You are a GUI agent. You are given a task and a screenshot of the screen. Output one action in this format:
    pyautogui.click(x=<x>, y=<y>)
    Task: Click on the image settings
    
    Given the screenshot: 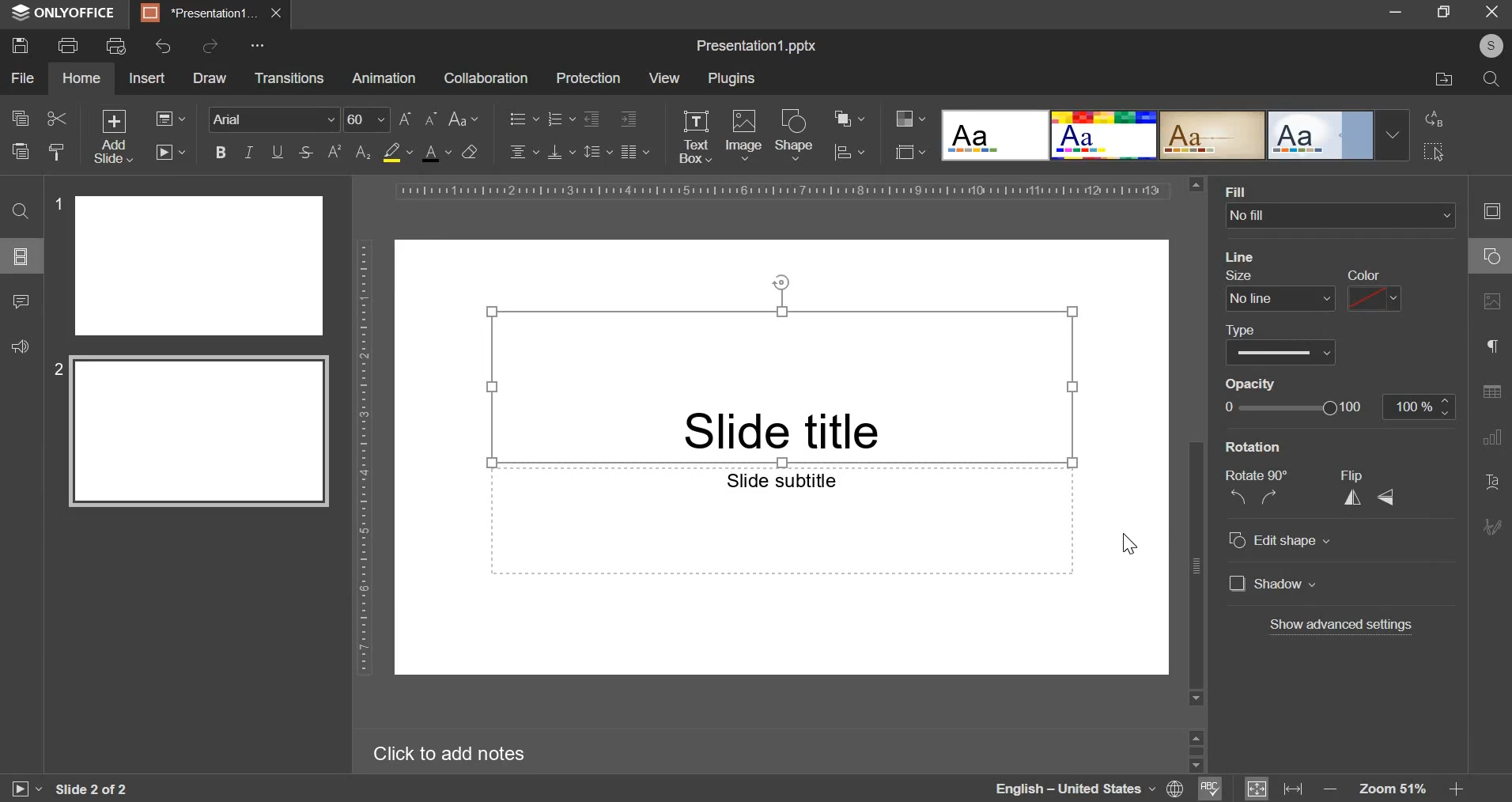 What is the action you would take?
    pyautogui.click(x=1495, y=302)
    